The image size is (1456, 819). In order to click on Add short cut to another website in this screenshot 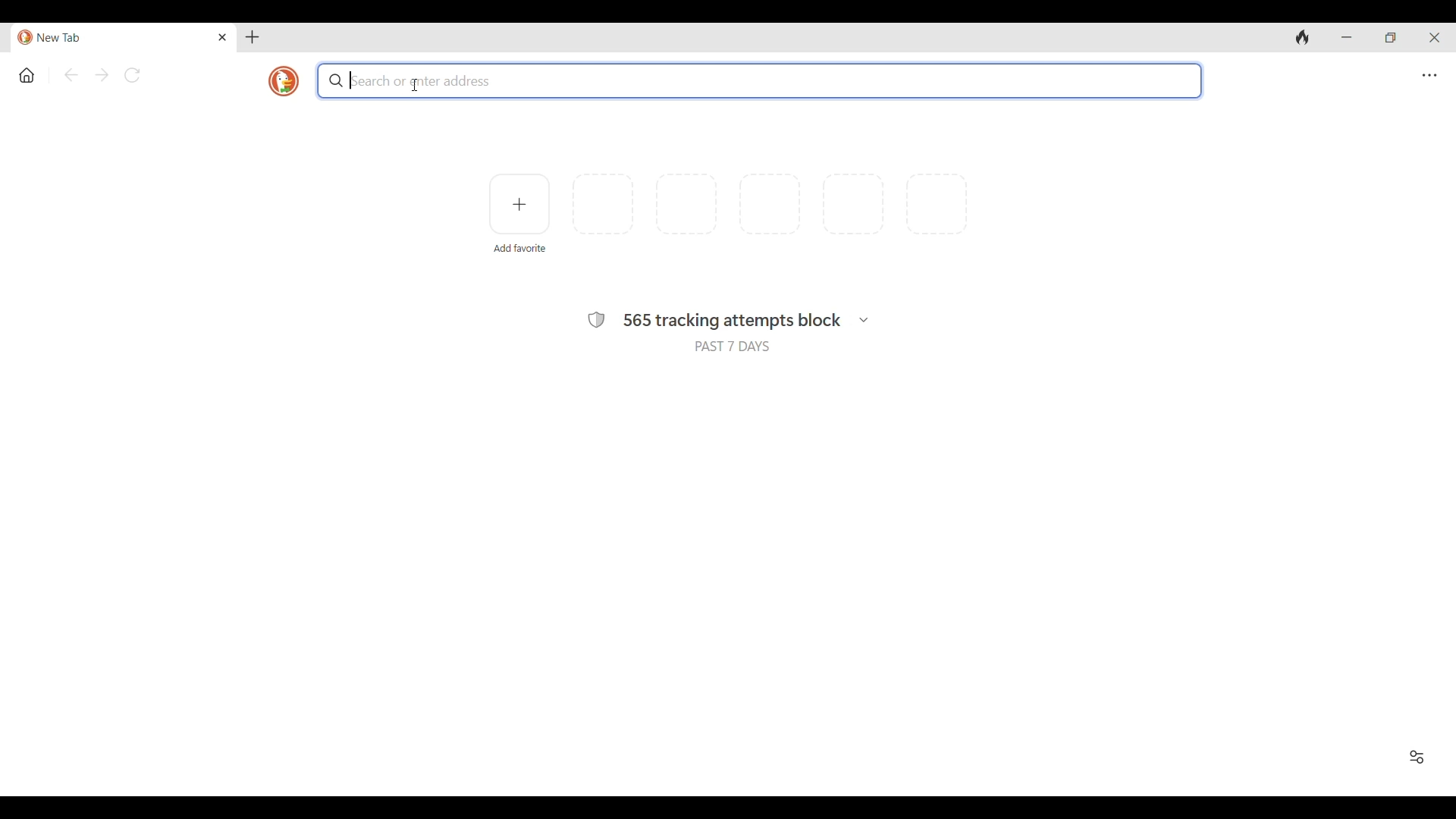, I will do `click(519, 204)`.